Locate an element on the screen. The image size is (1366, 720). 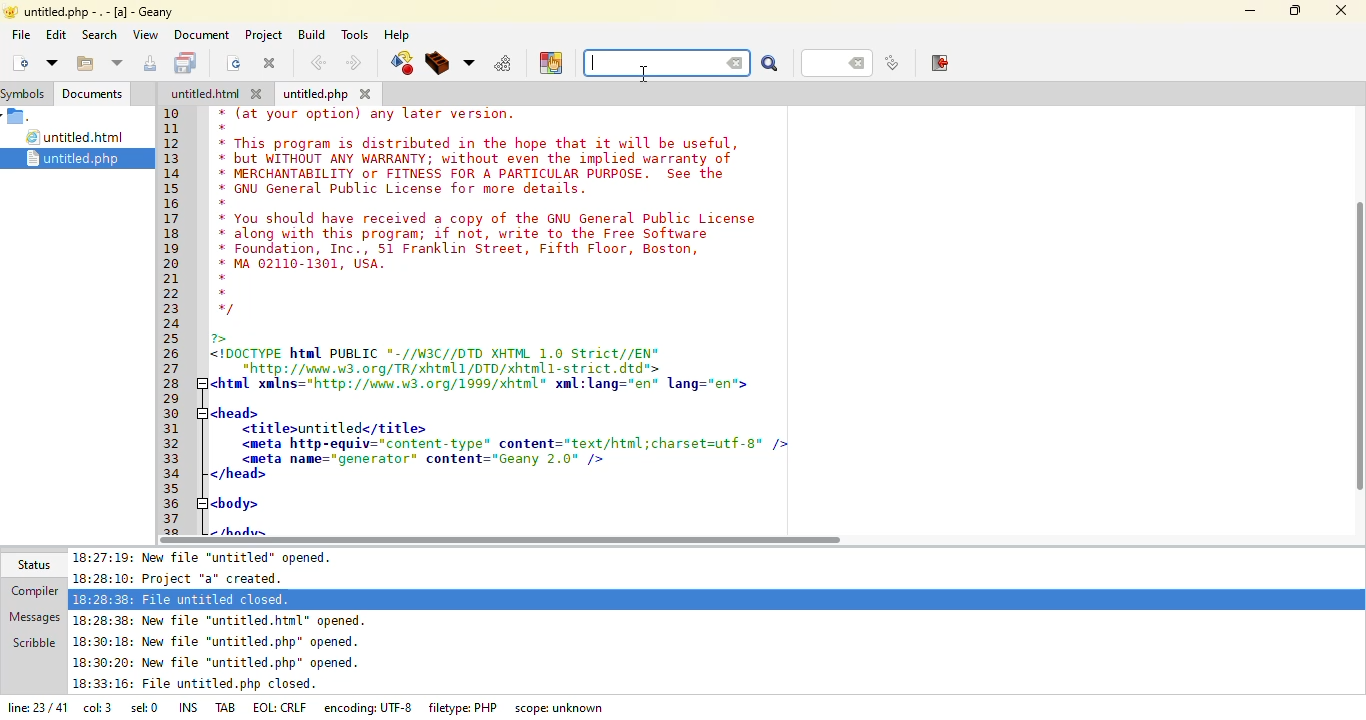
scroll bar is located at coordinates (500, 540).